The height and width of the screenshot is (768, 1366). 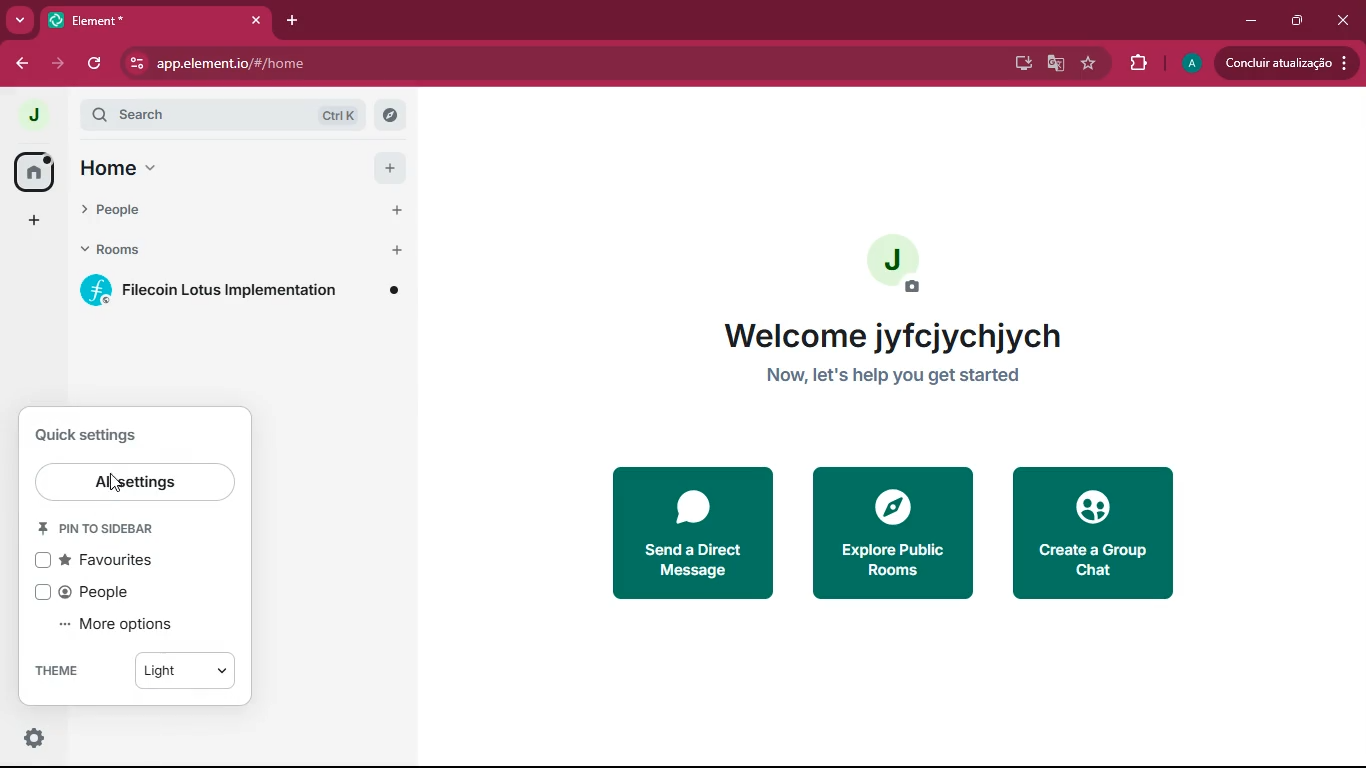 What do you see at coordinates (114, 19) in the screenshot?
I see `element*` at bounding box center [114, 19].